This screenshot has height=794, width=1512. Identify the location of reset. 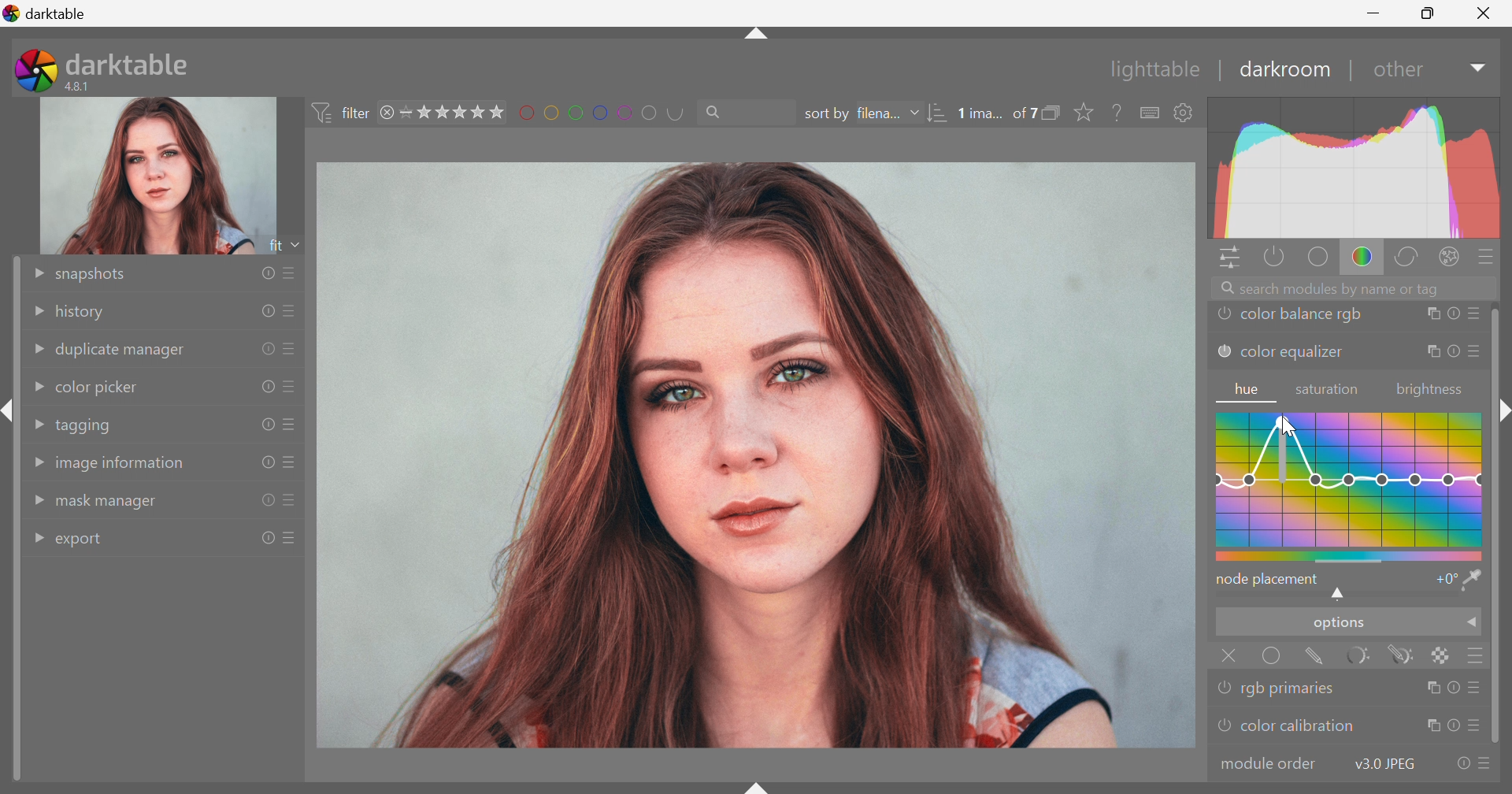
(266, 423).